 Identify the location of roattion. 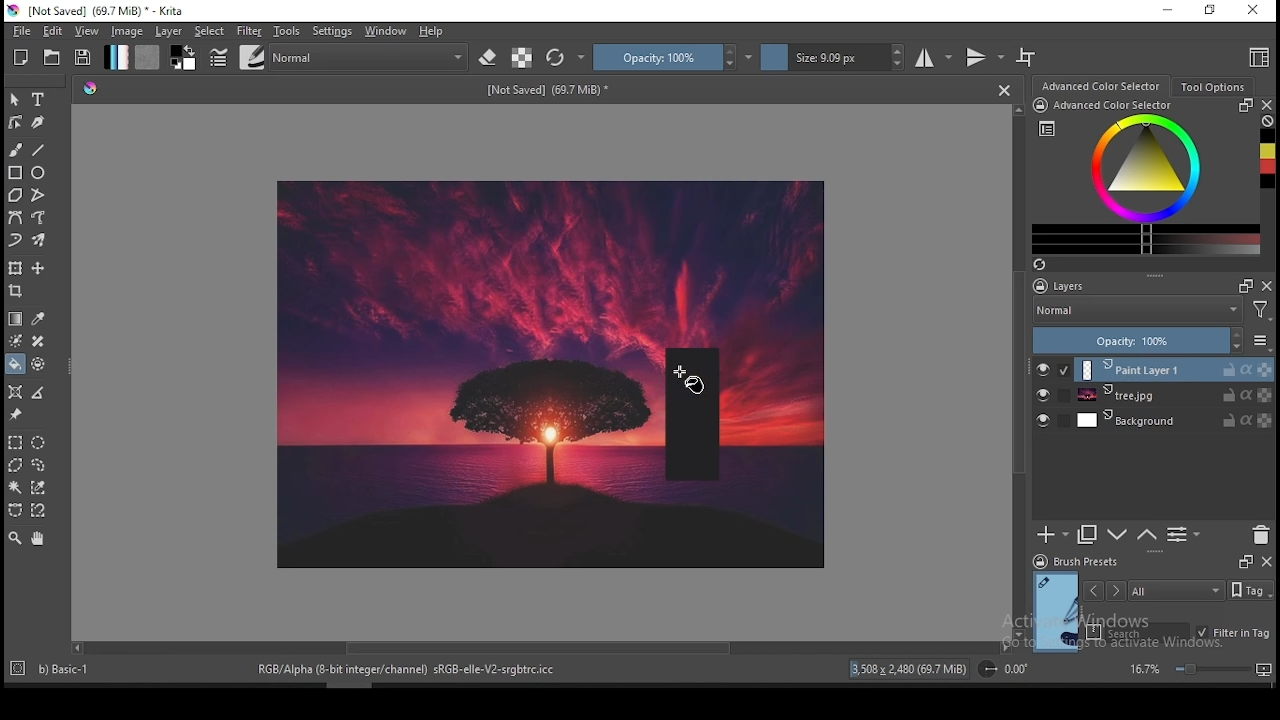
(1001, 669).